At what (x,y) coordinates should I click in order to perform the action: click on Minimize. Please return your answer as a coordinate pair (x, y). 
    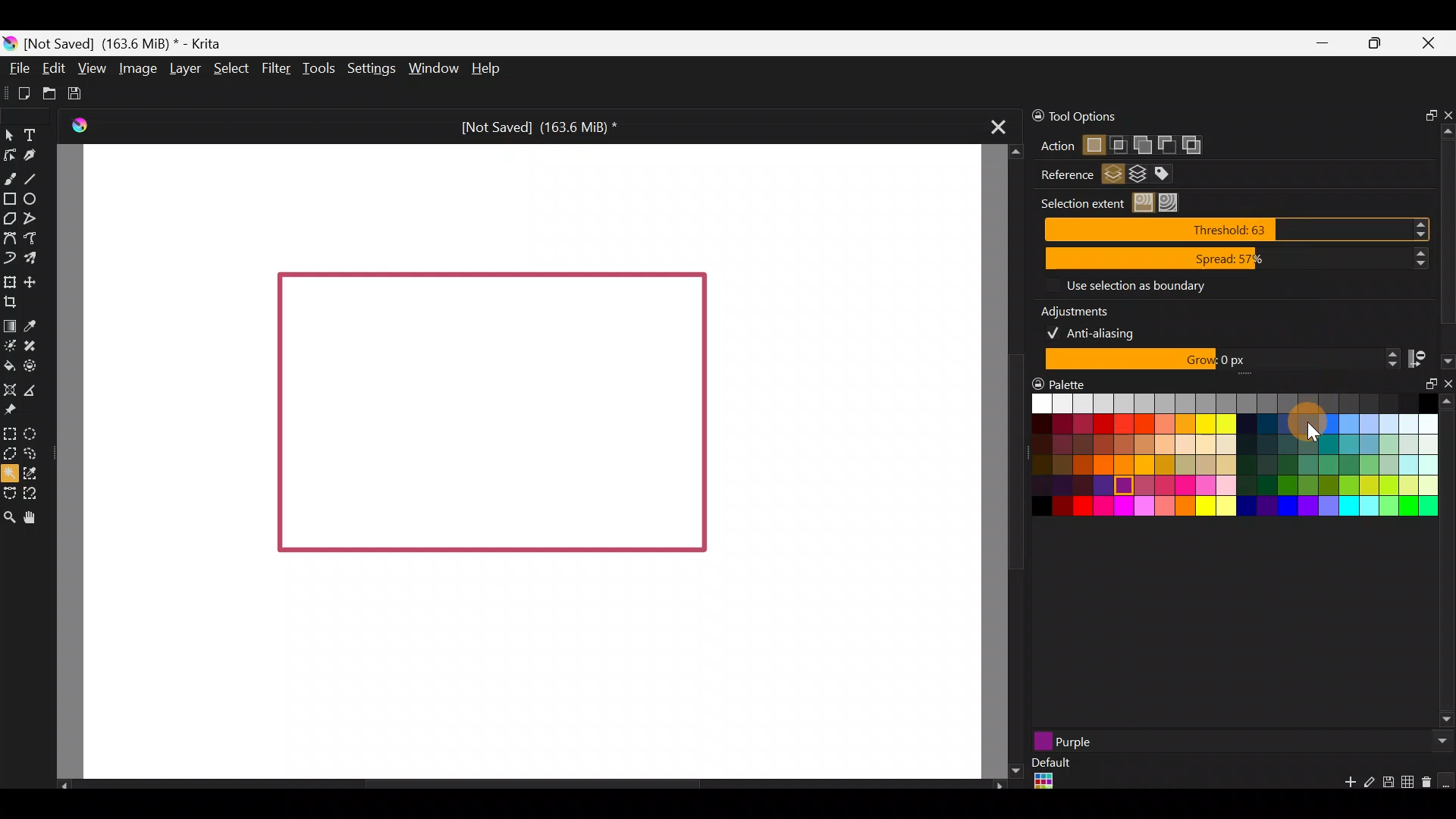
    Looking at the image, I should click on (1323, 44).